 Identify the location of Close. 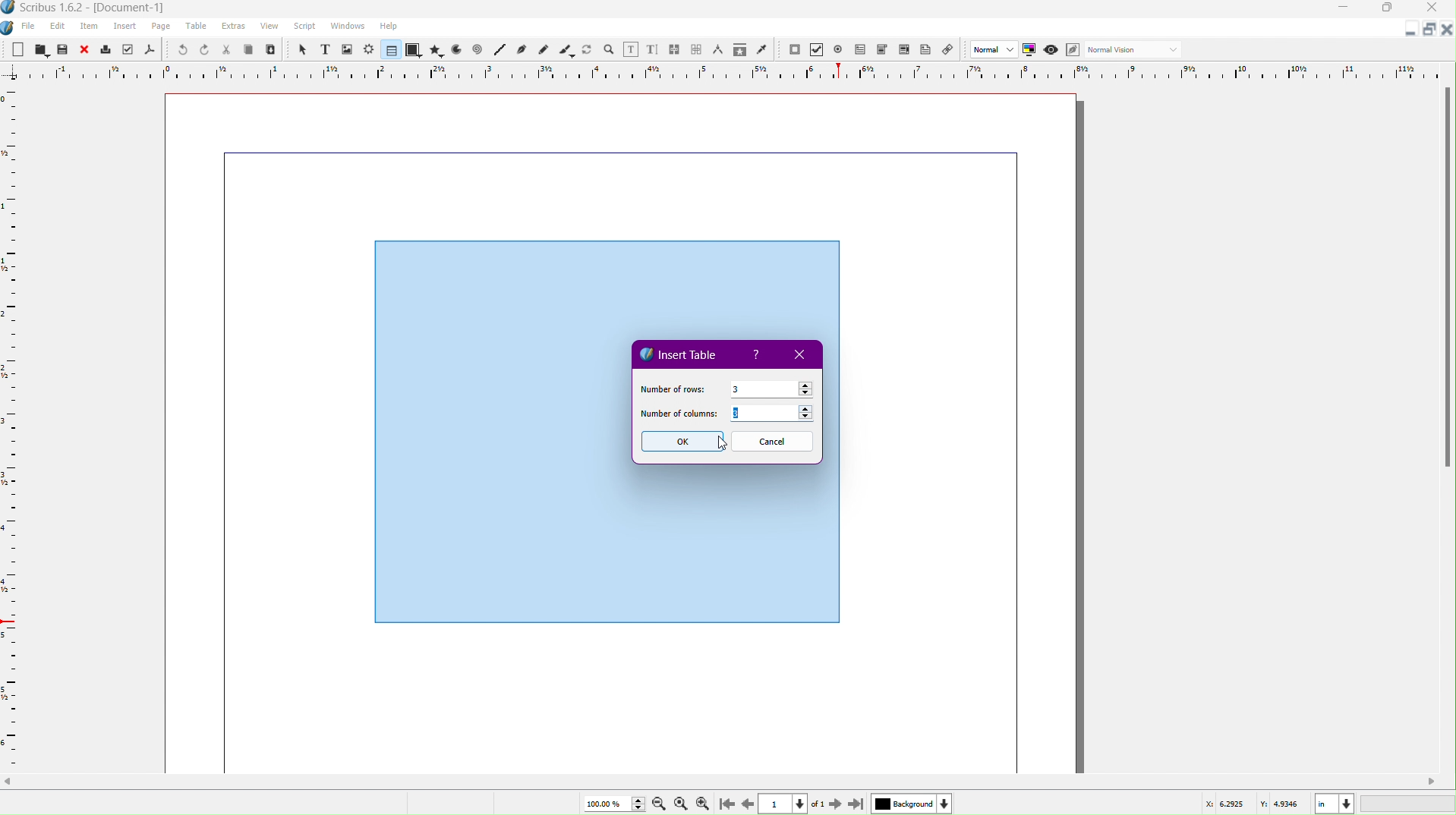
(1436, 9).